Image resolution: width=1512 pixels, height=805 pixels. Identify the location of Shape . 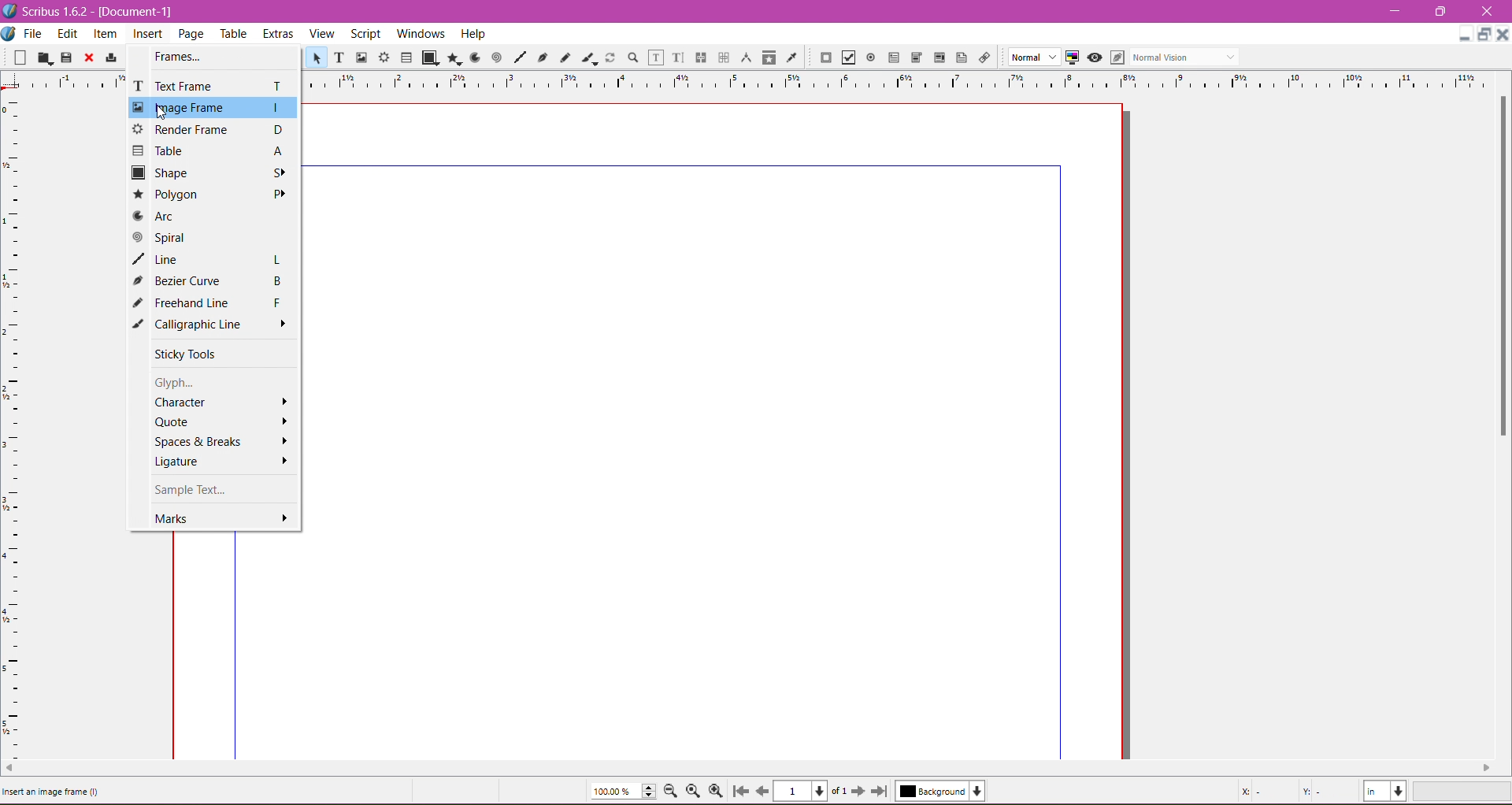
(430, 58).